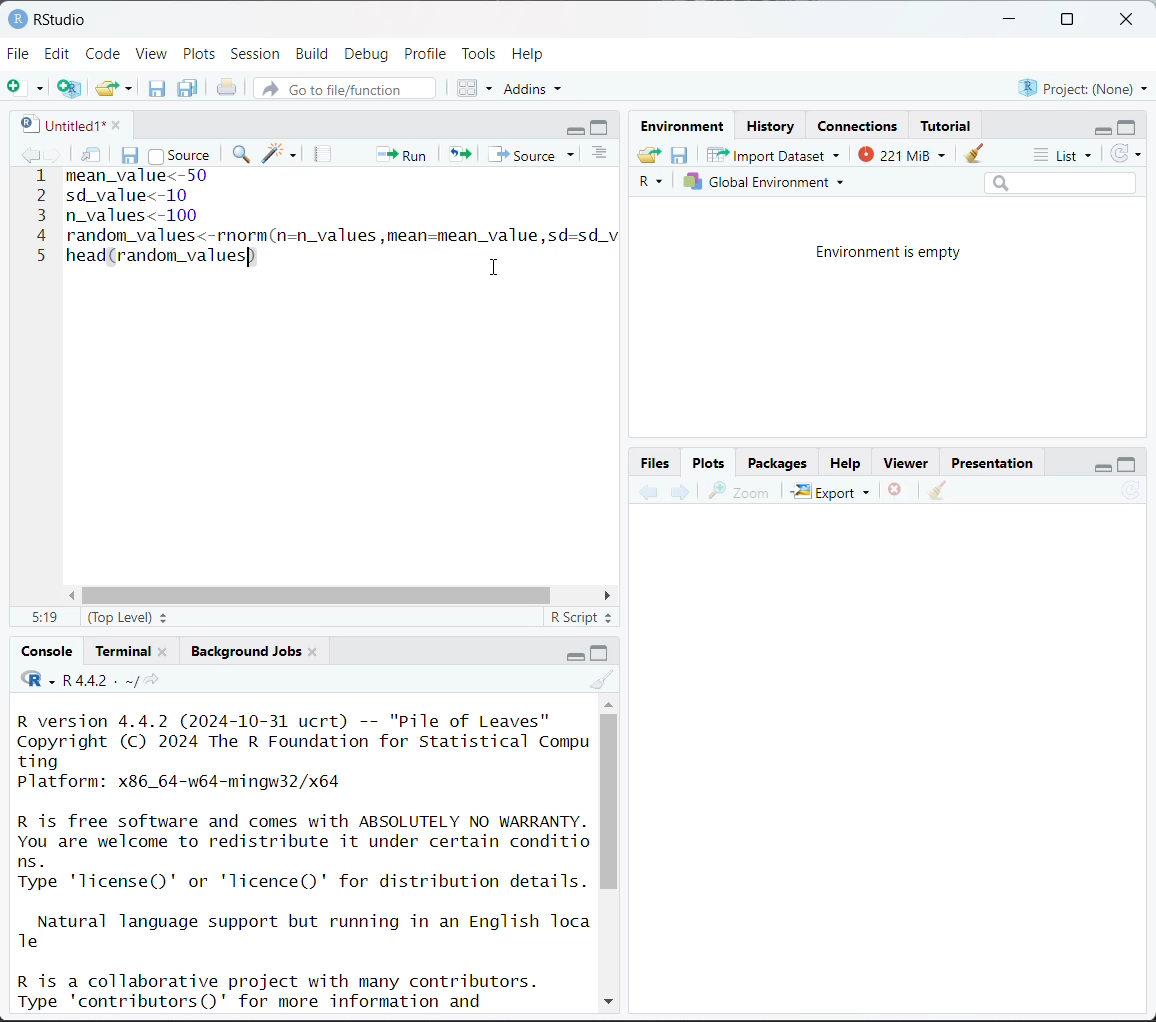 This screenshot has height=1022, width=1156. What do you see at coordinates (125, 648) in the screenshot?
I see `Terminal` at bounding box center [125, 648].